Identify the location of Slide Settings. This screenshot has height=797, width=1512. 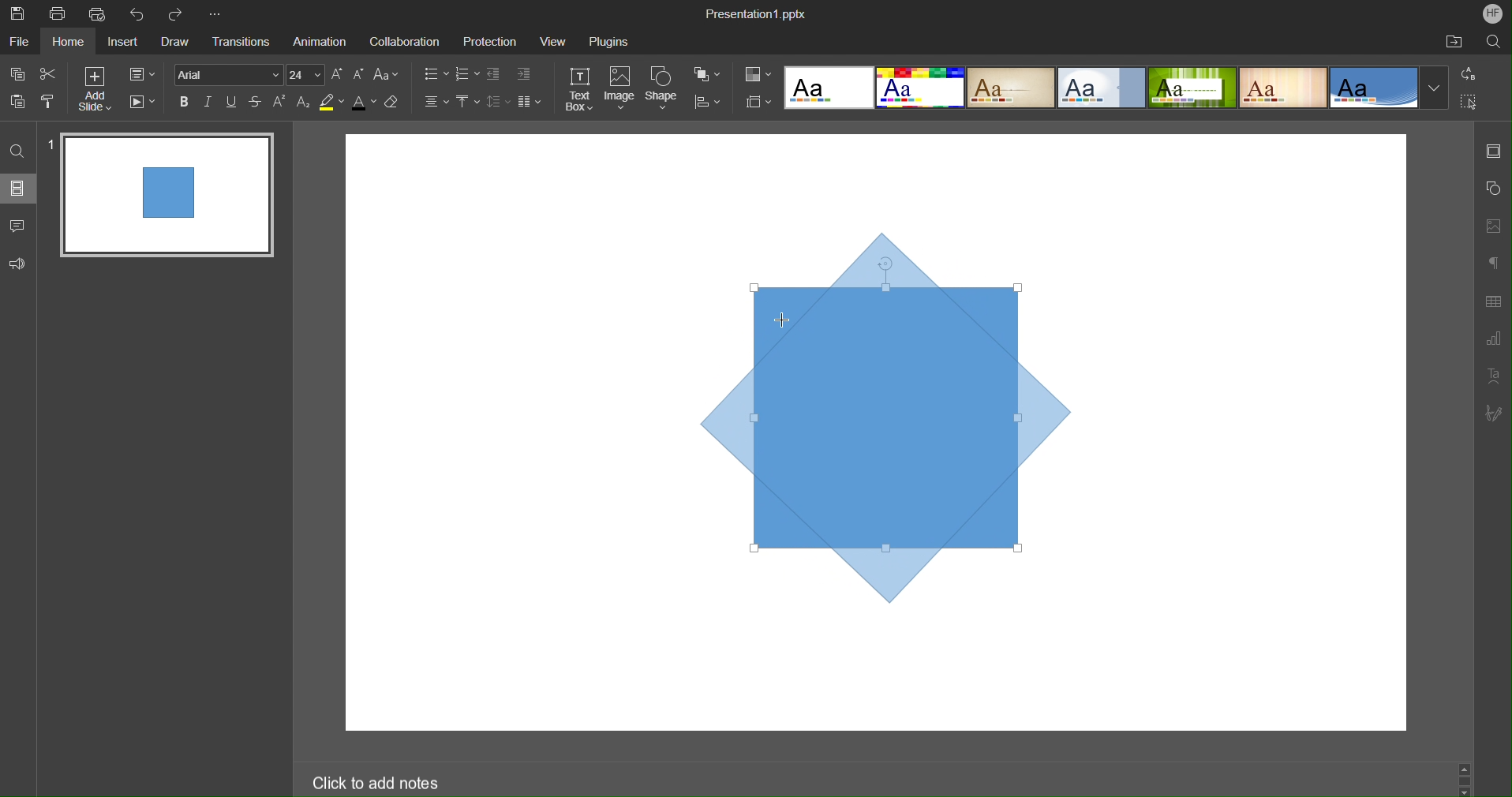
(1495, 148).